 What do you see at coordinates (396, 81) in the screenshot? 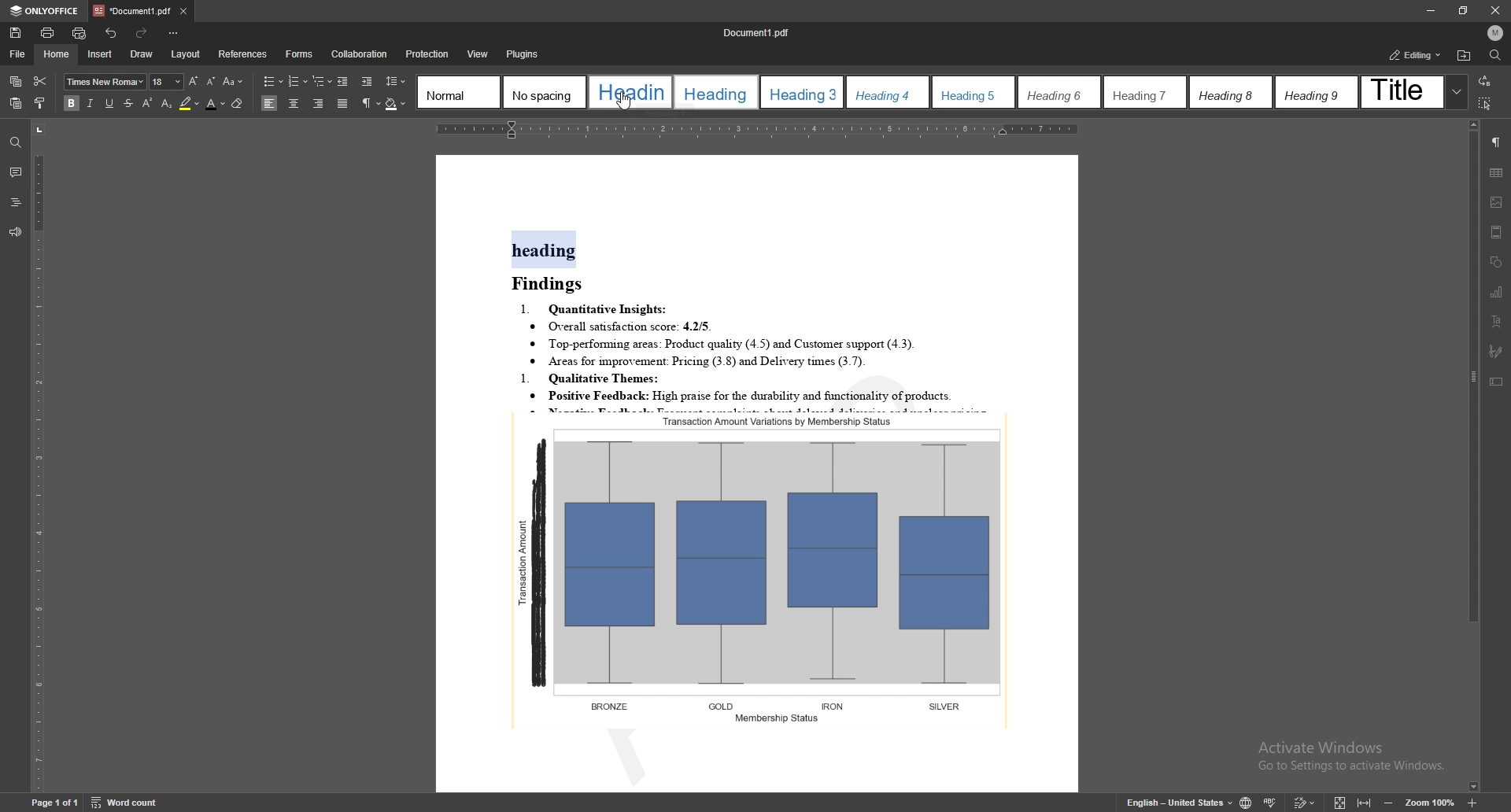
I see `line spacing` at bounding box center [396, 81].